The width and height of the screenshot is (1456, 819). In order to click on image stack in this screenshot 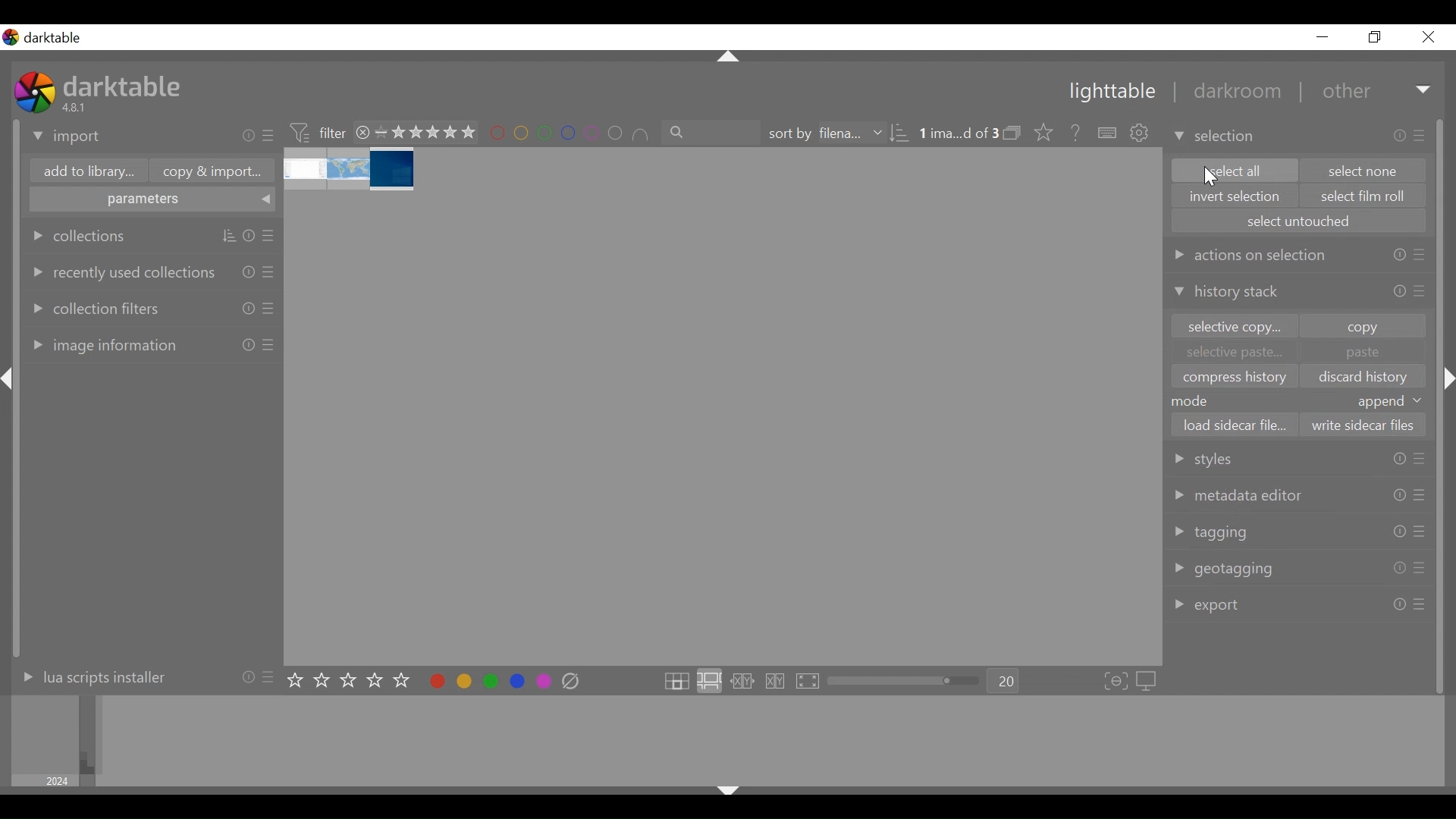, I will do `click(351, 170)`.